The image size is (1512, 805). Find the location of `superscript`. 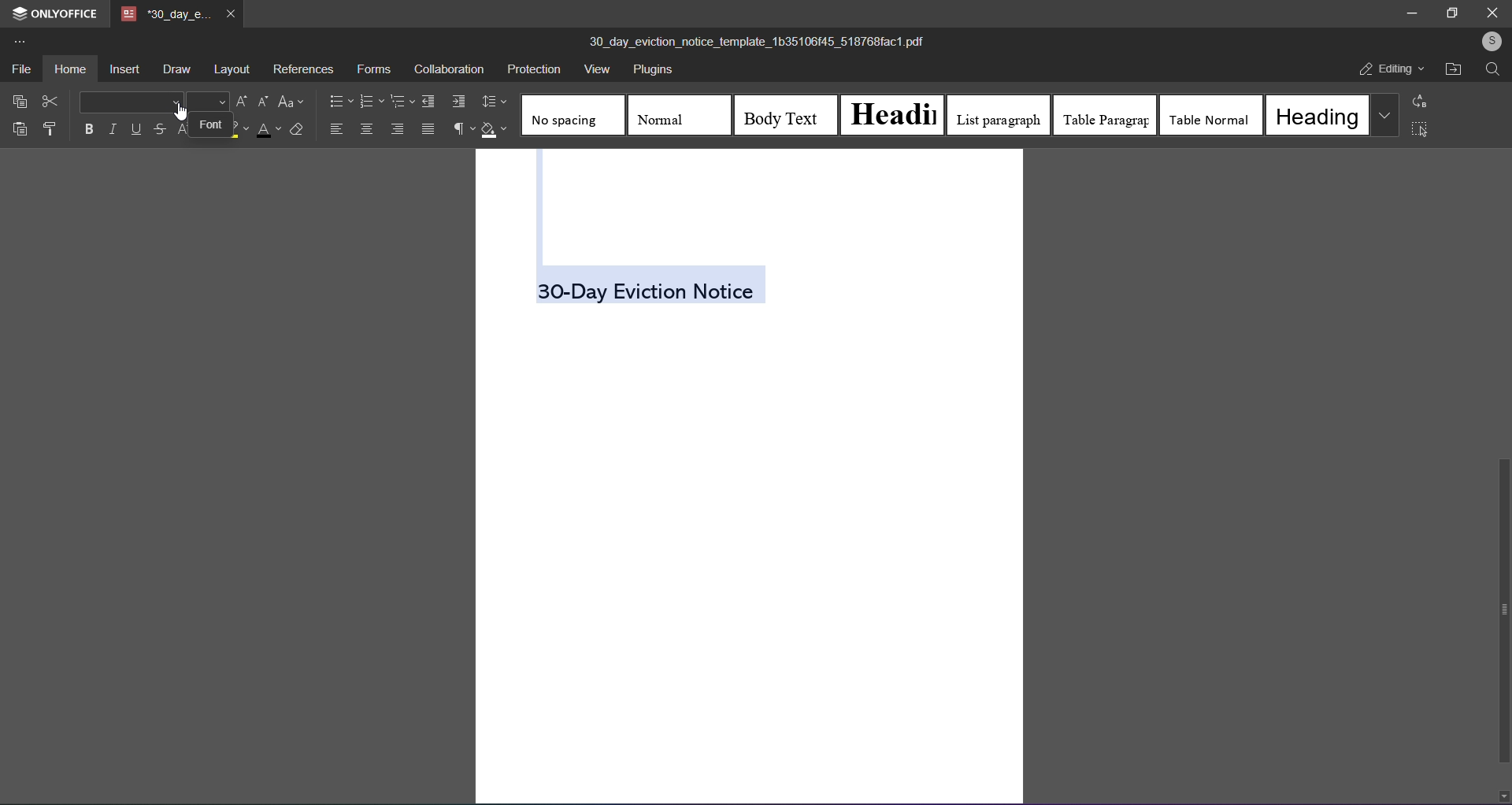

superscript is located at coordinates (183, 129).